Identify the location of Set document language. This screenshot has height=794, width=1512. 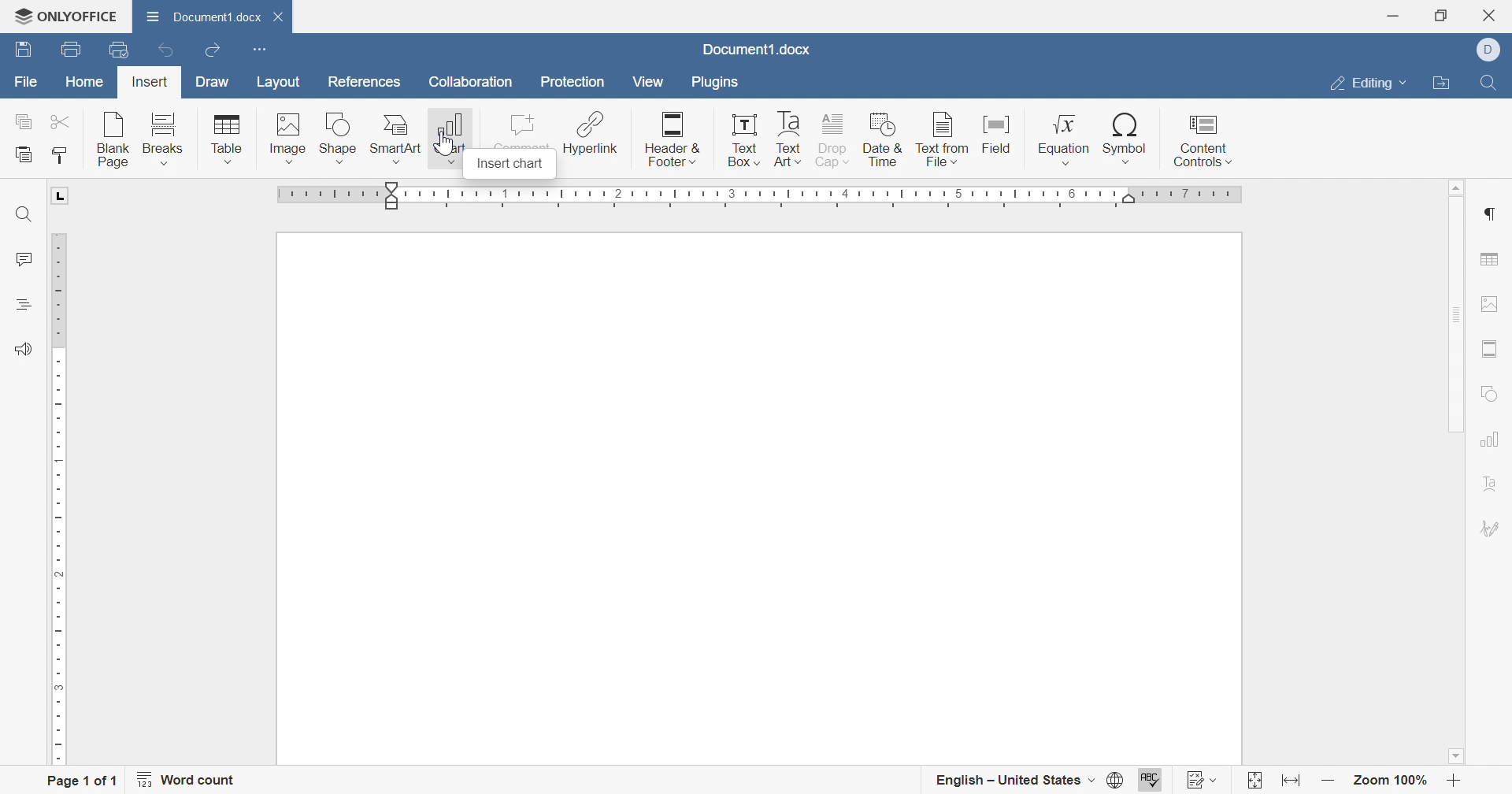
(1116, 779).